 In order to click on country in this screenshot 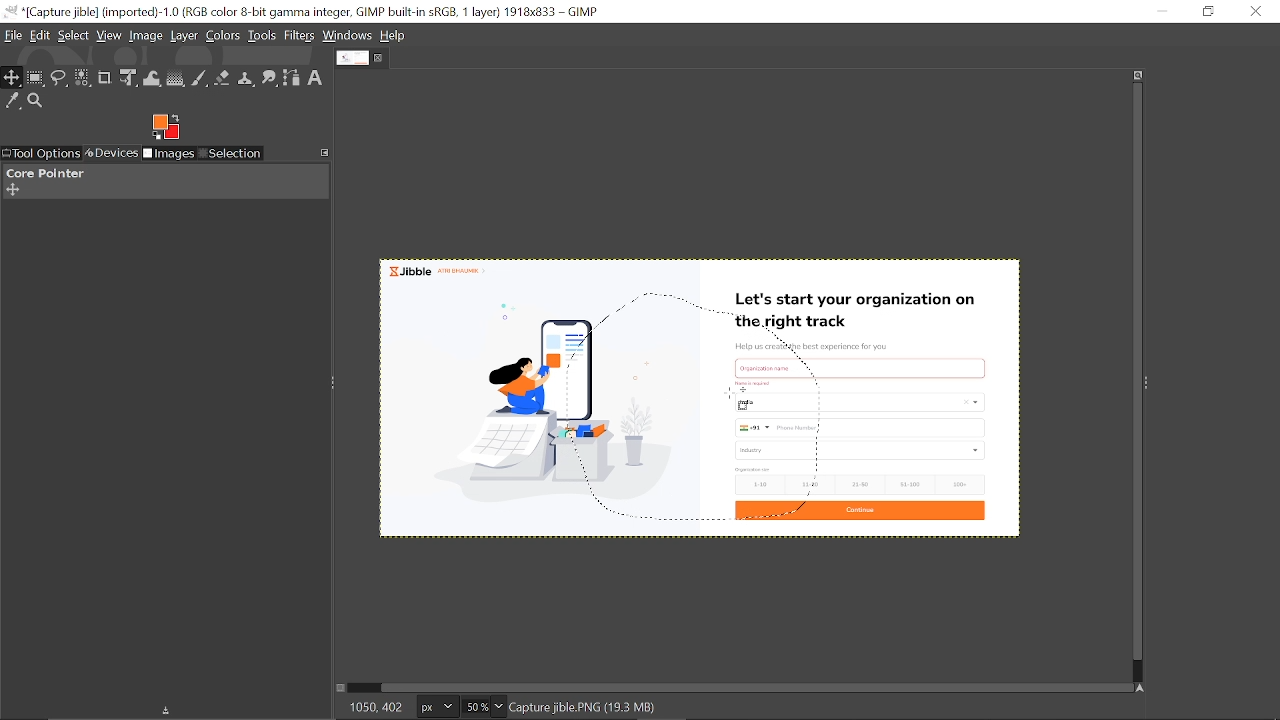, I will do `click(864, 402)`.